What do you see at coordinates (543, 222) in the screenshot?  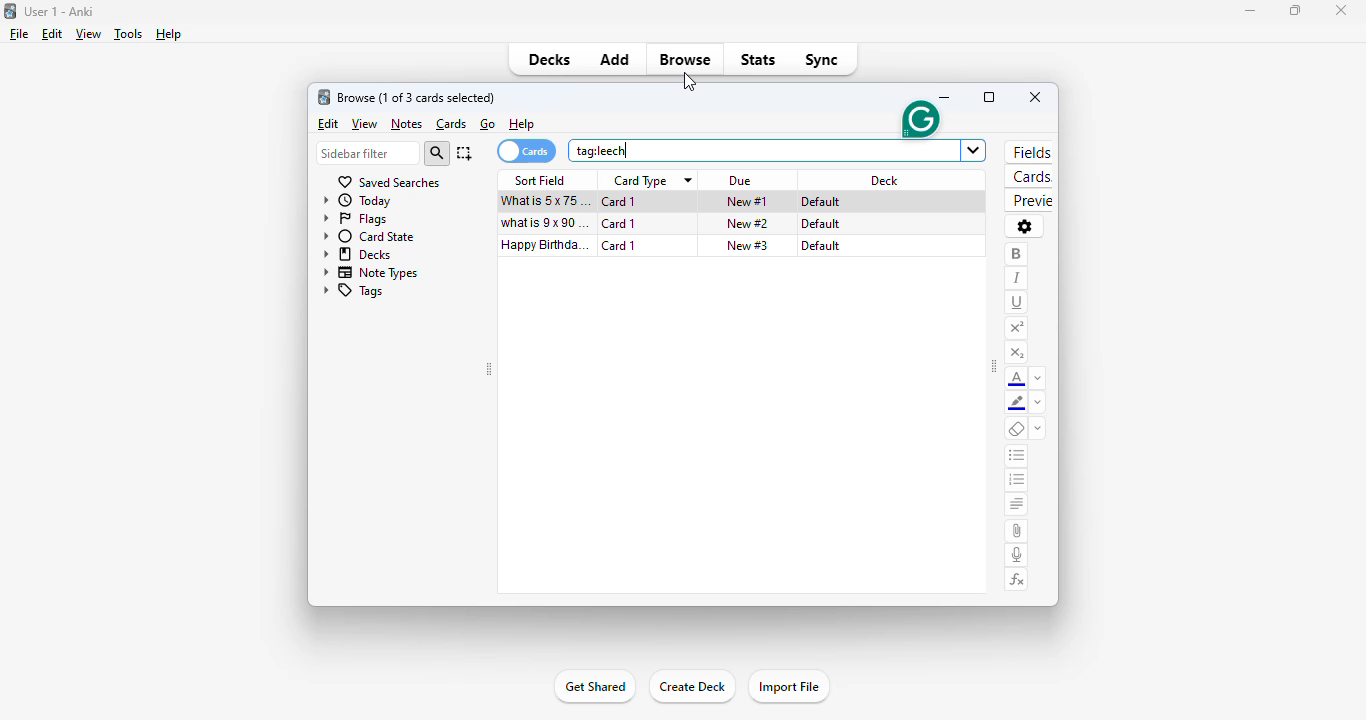 I see `what is 9x90=?` at bounding box center [543, 222].